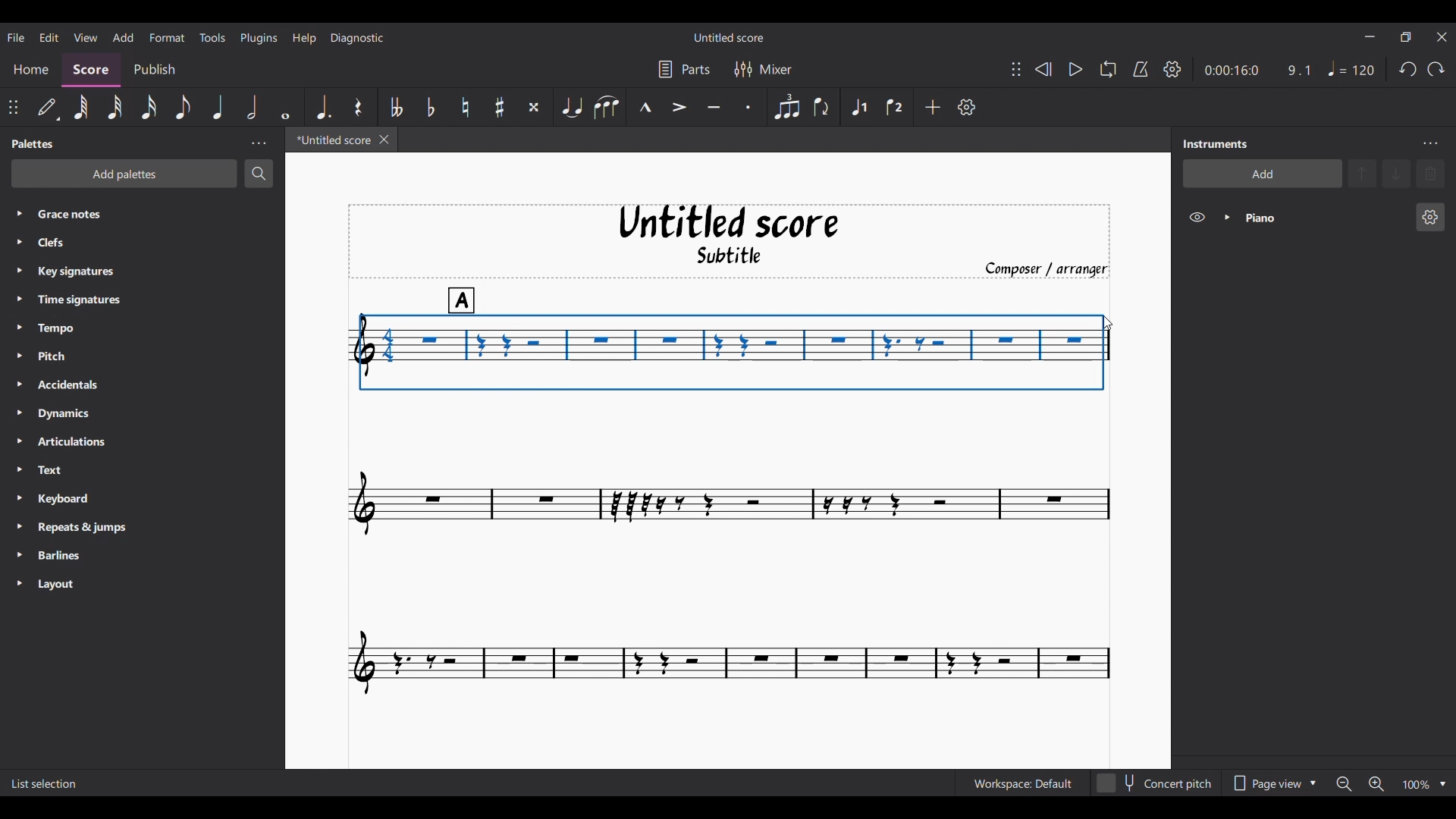  Describe the element at coordinates (15, 37) in the screenshot. I see `File menu` at that location.